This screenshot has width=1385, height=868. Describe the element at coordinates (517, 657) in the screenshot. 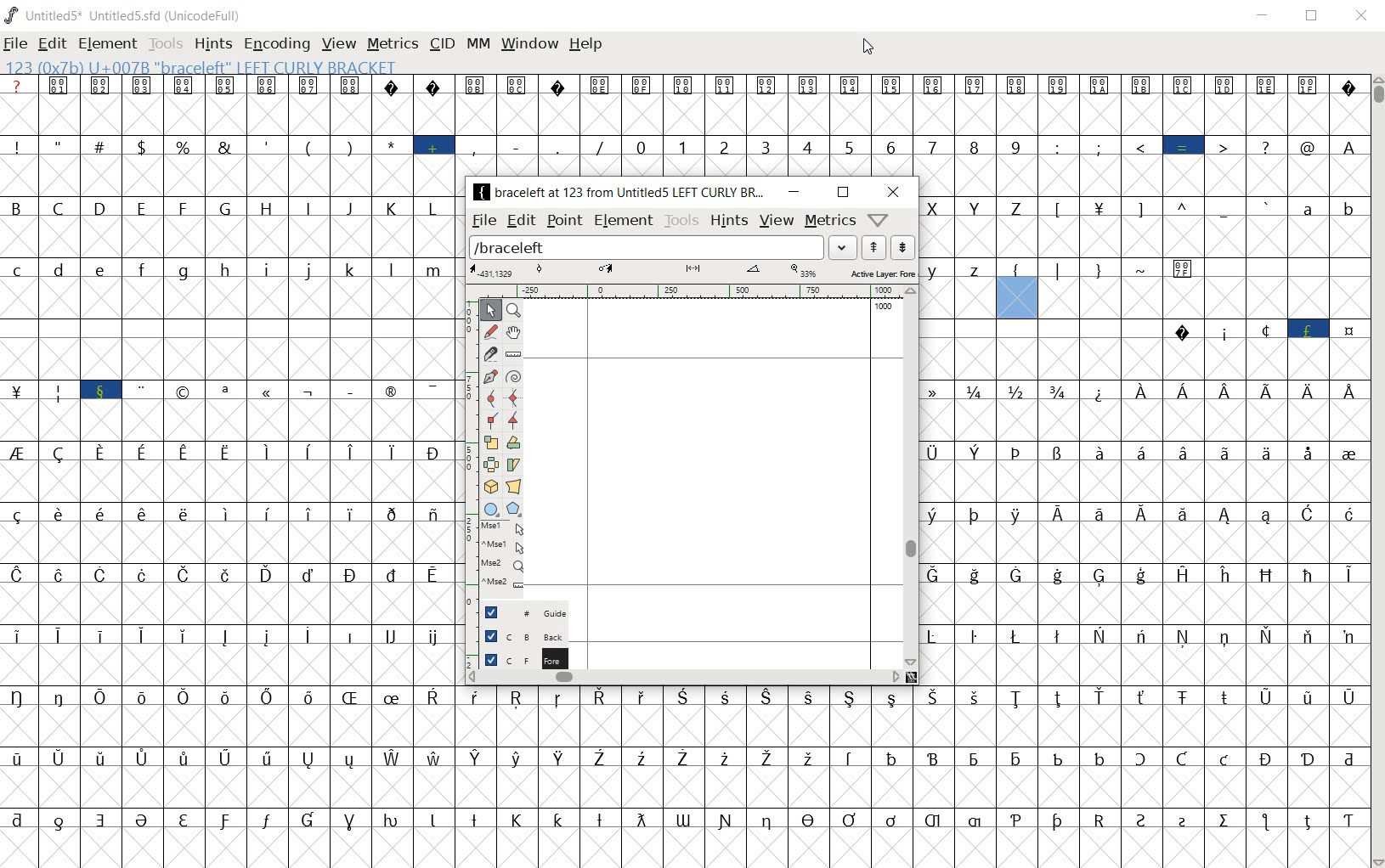

I see `background` at that location.